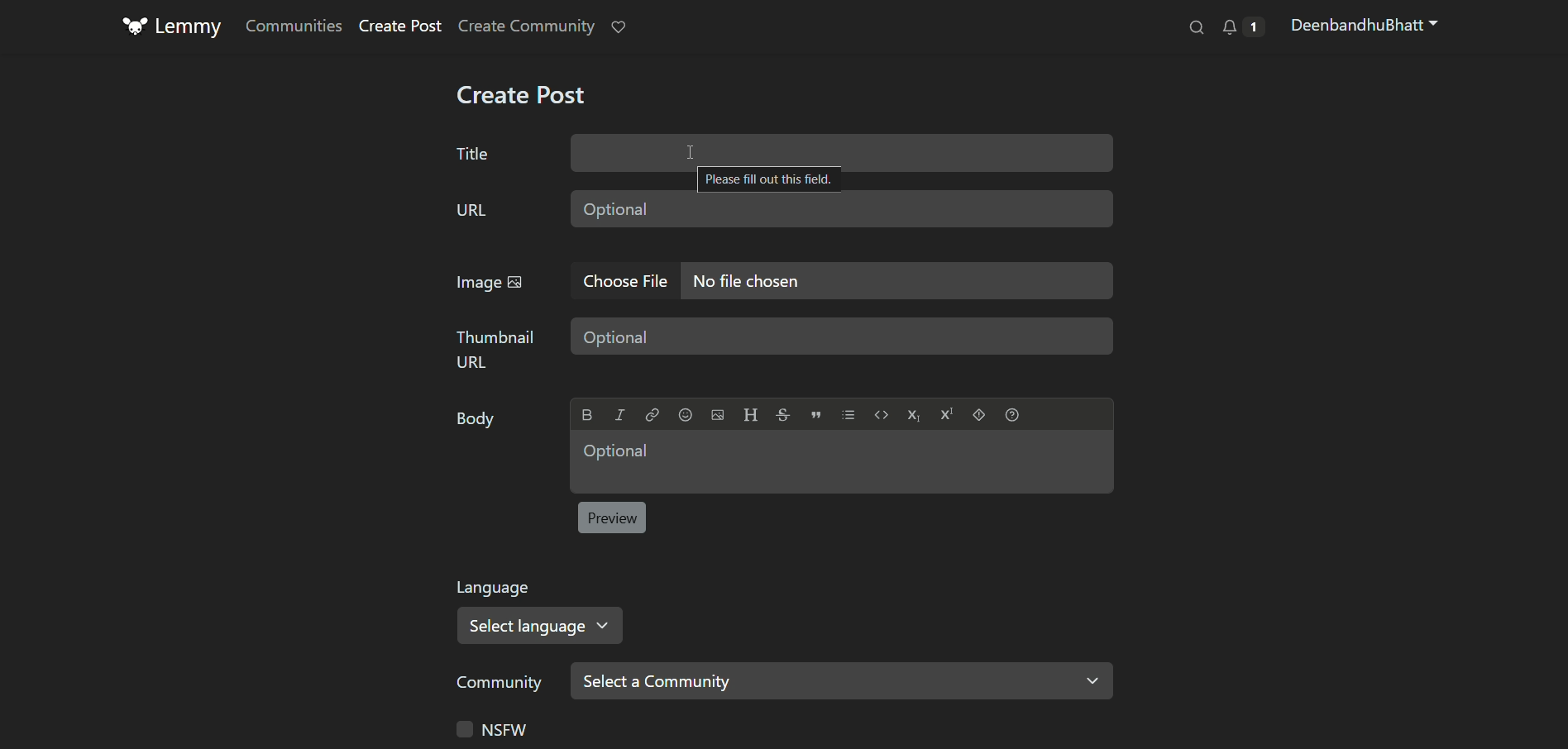 The width and height of the screenshot is (1568, 749). Describe the element at coordinates (1192, 30) in the screenshot. I see `find` at that location.